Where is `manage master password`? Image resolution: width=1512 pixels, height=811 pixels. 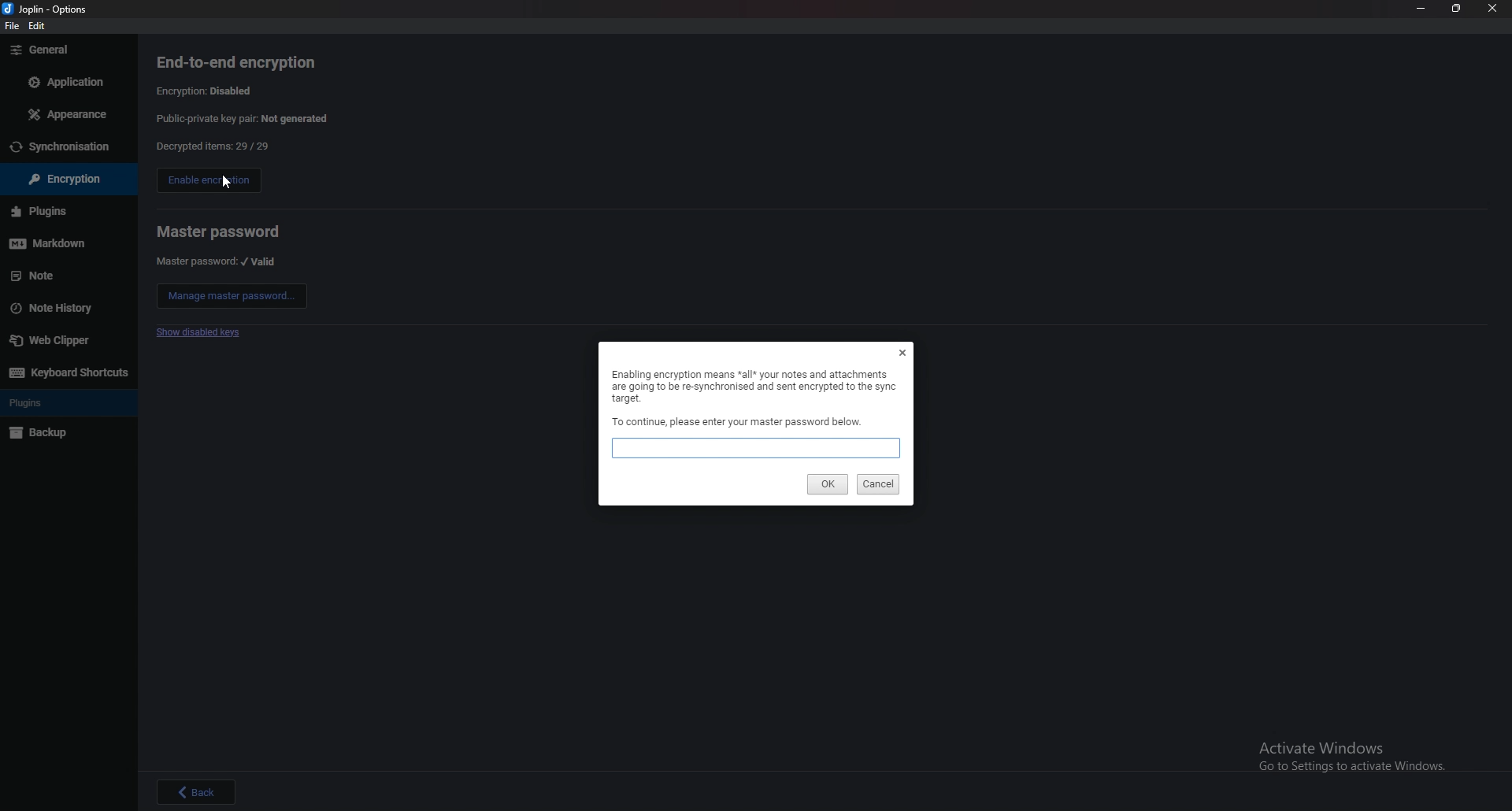 manage master password is located at coordinates (231, 295).